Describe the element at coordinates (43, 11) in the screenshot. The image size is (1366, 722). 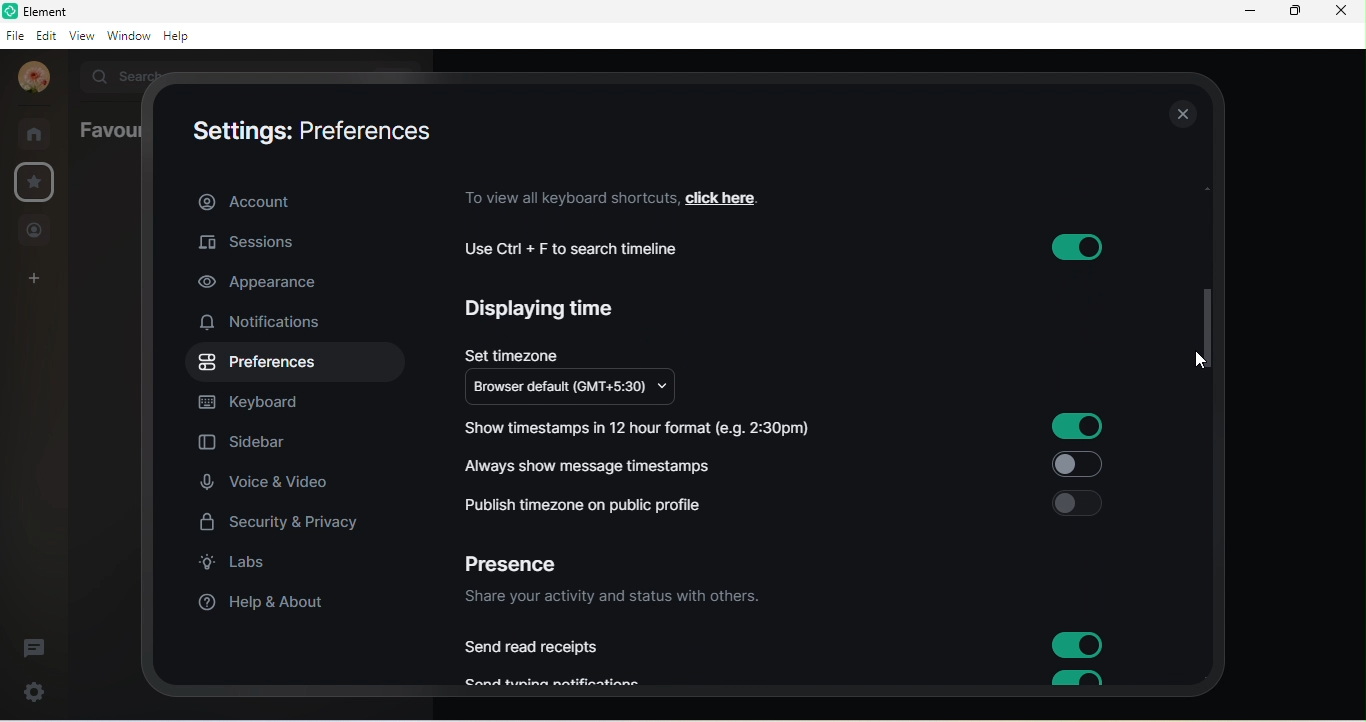
I see `Element` at that location.